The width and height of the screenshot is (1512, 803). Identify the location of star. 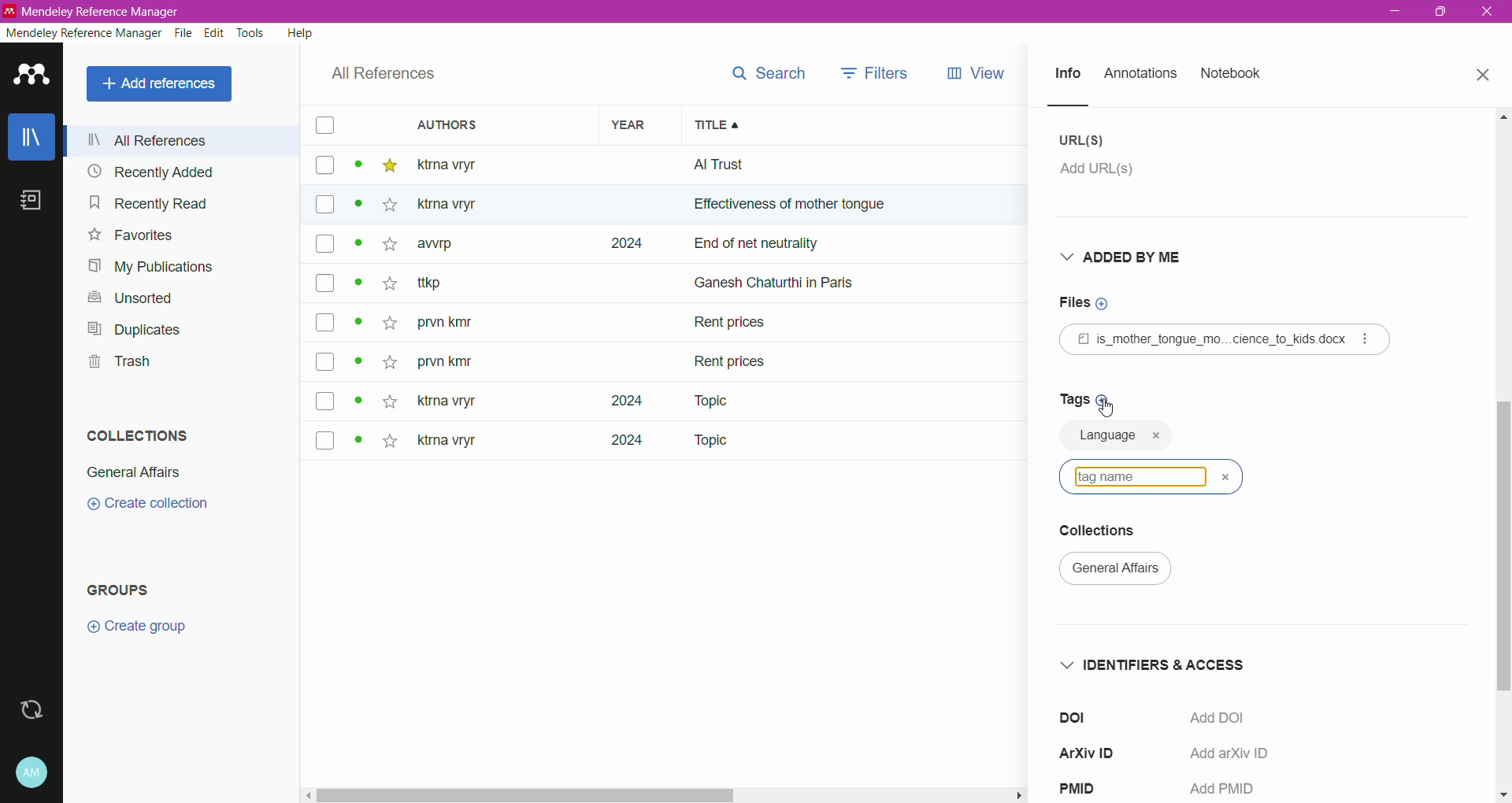
(384, 250).